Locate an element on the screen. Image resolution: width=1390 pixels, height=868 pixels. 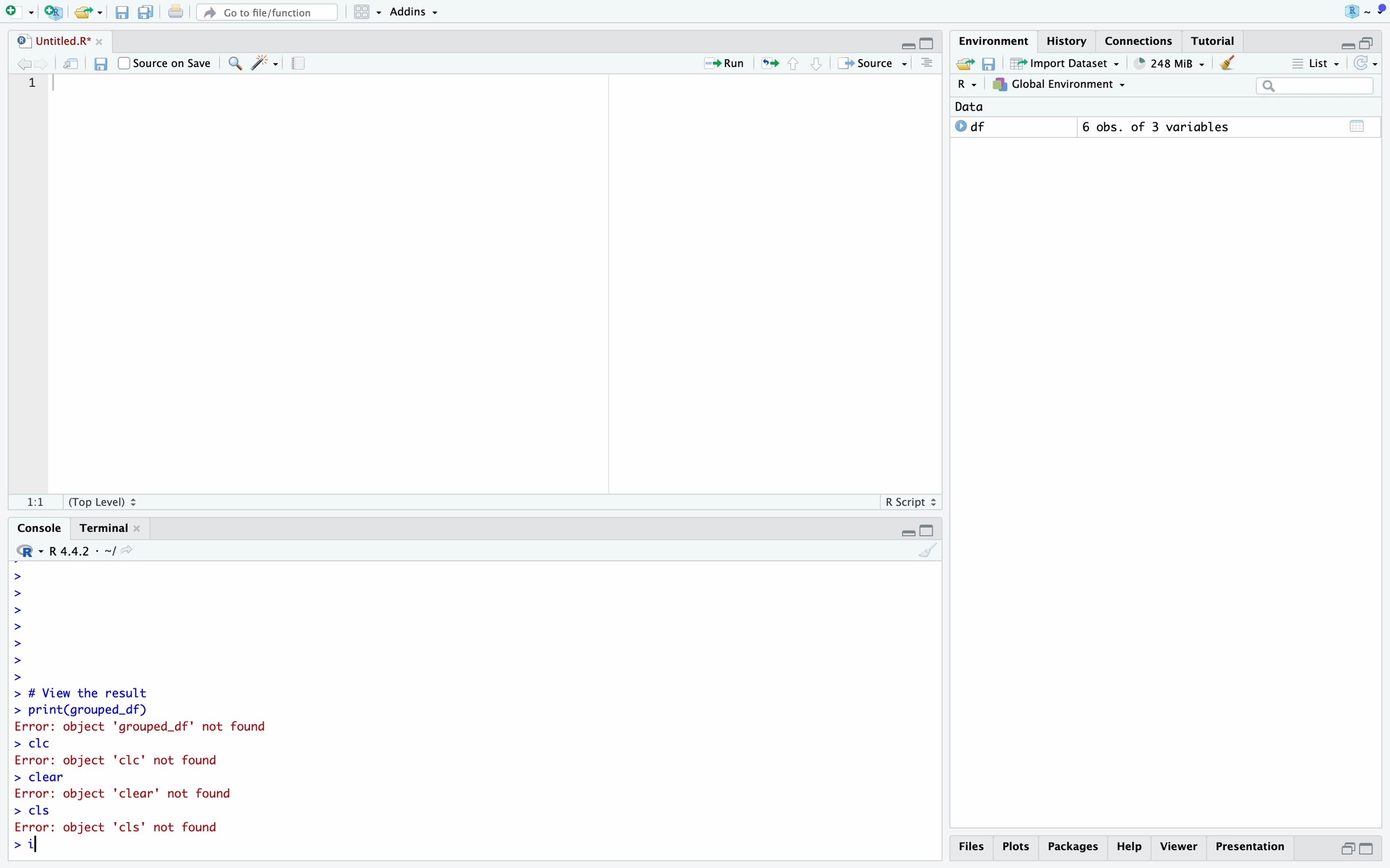
Console is located at coordinates (40, 528).